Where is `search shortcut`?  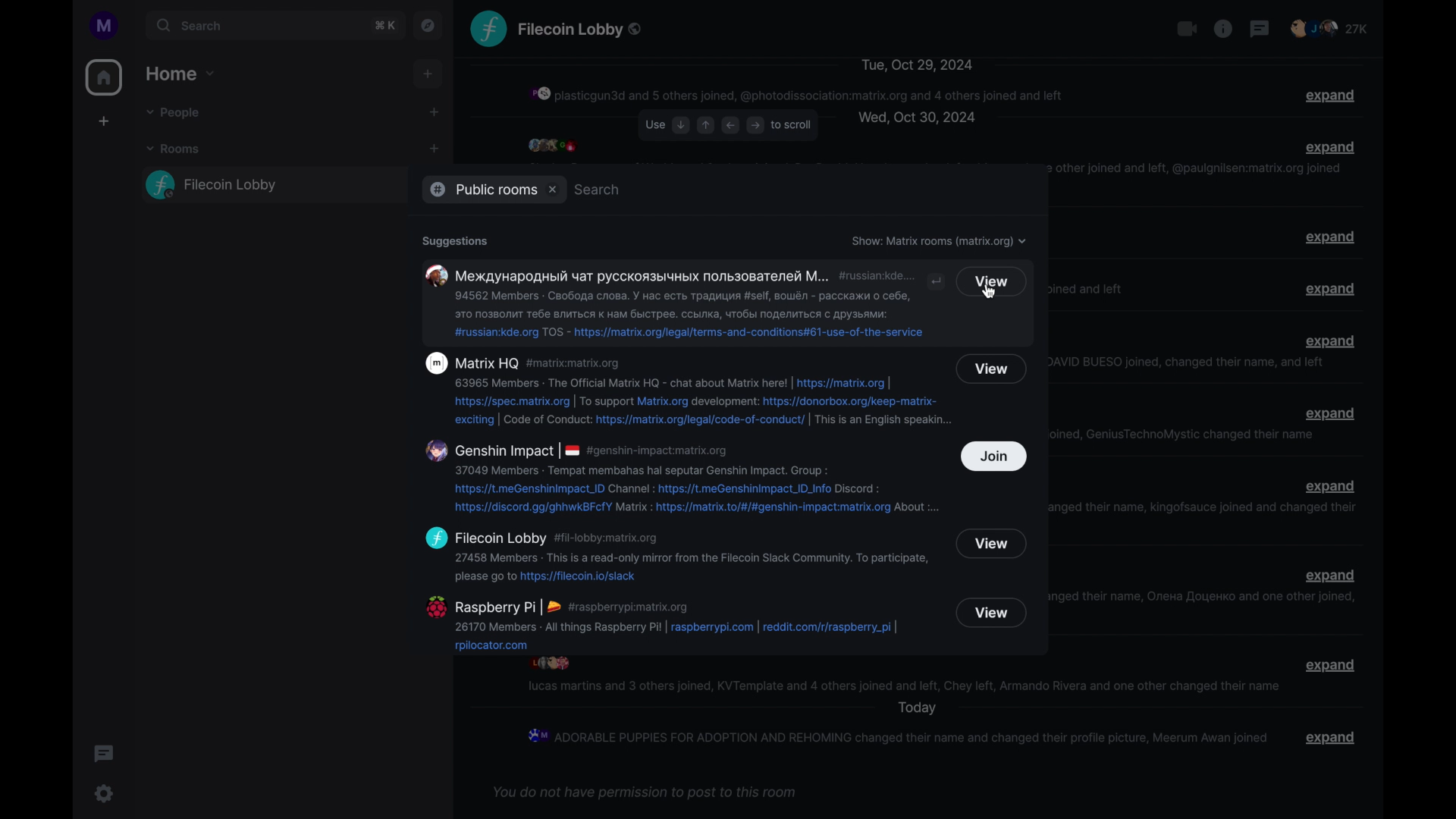
search shortcut is located at coordinates (384, 26).